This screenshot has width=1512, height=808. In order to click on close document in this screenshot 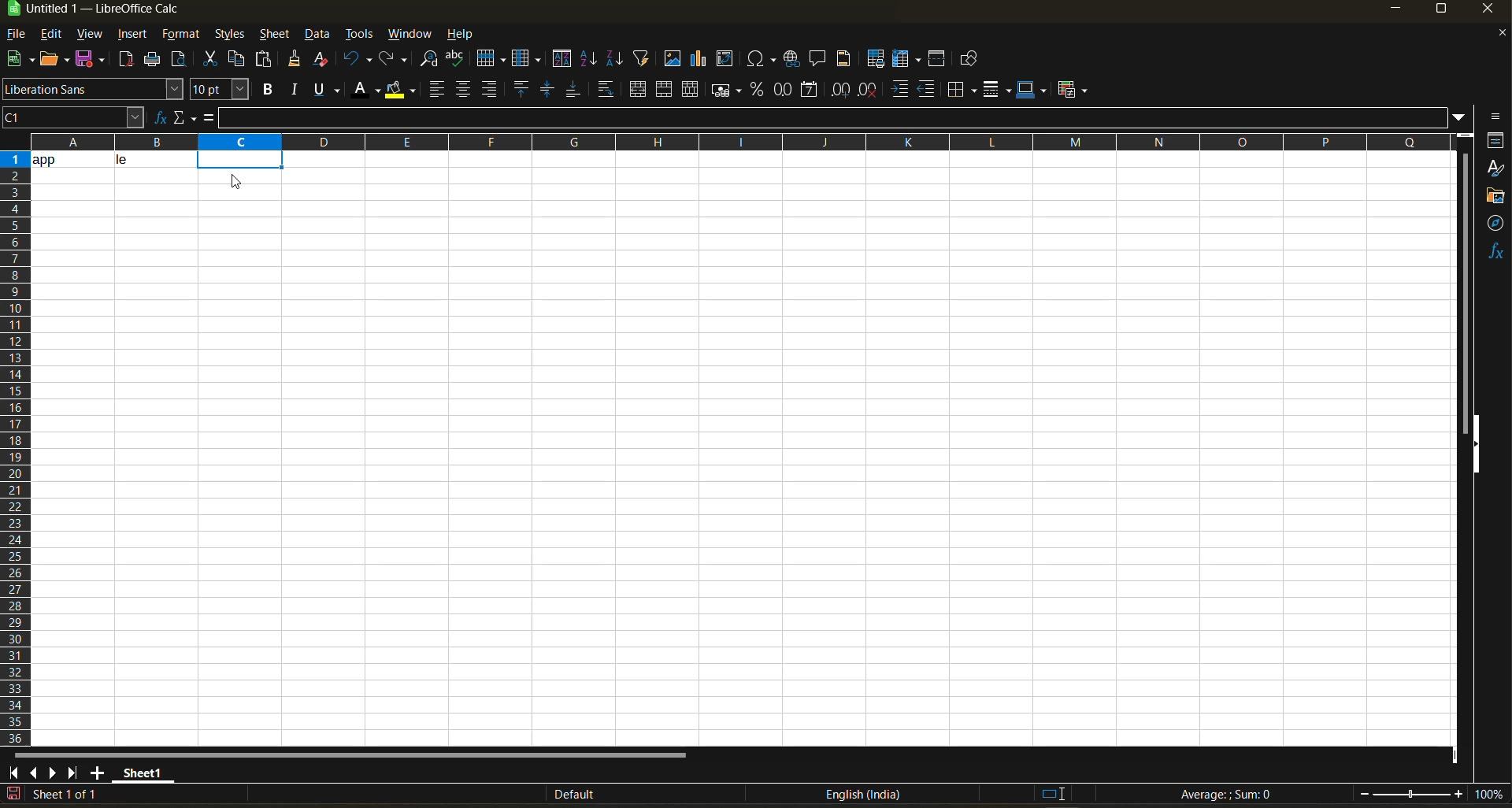, I will do `click(1496, 37)`.